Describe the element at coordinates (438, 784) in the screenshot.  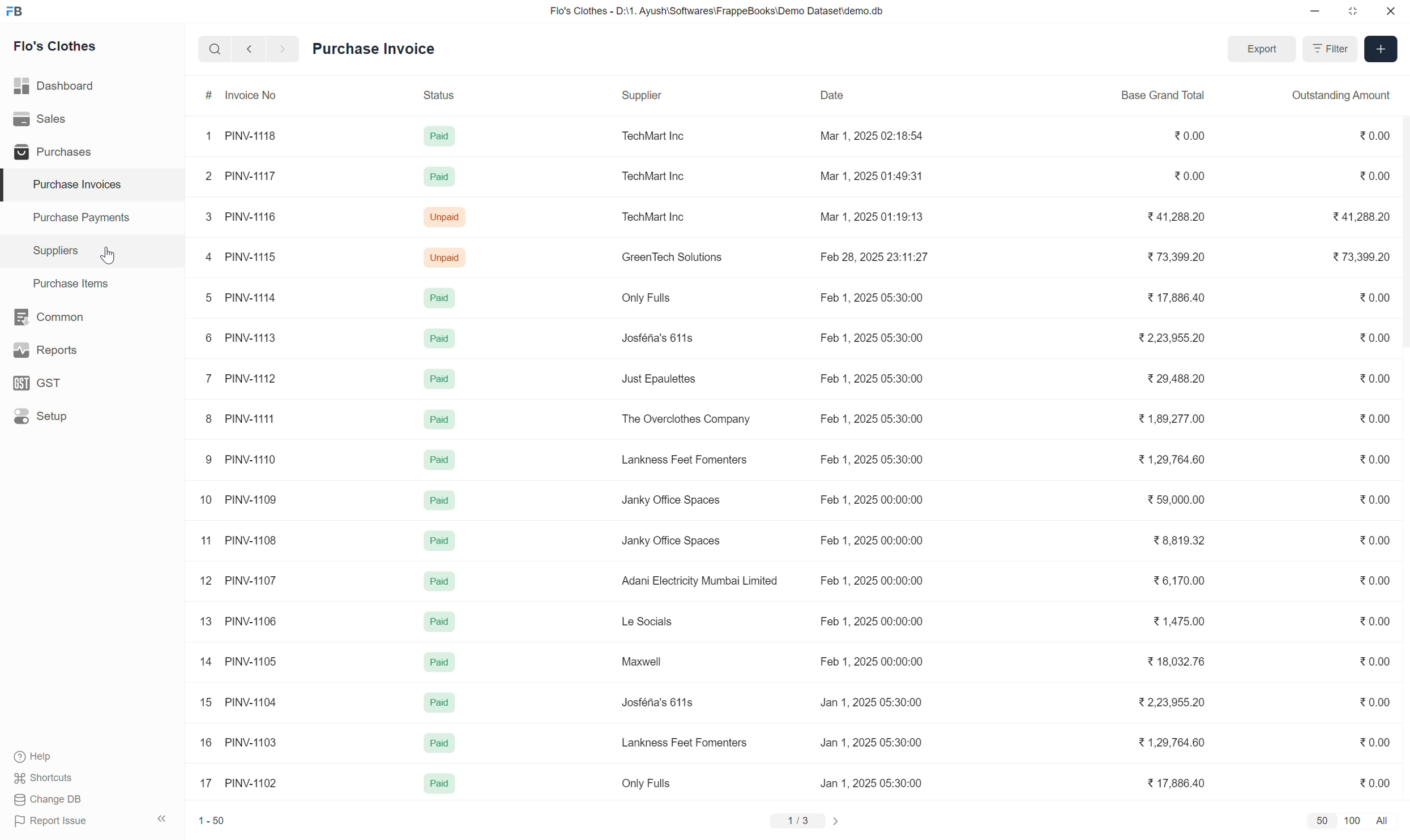
I see `paid` at that location.